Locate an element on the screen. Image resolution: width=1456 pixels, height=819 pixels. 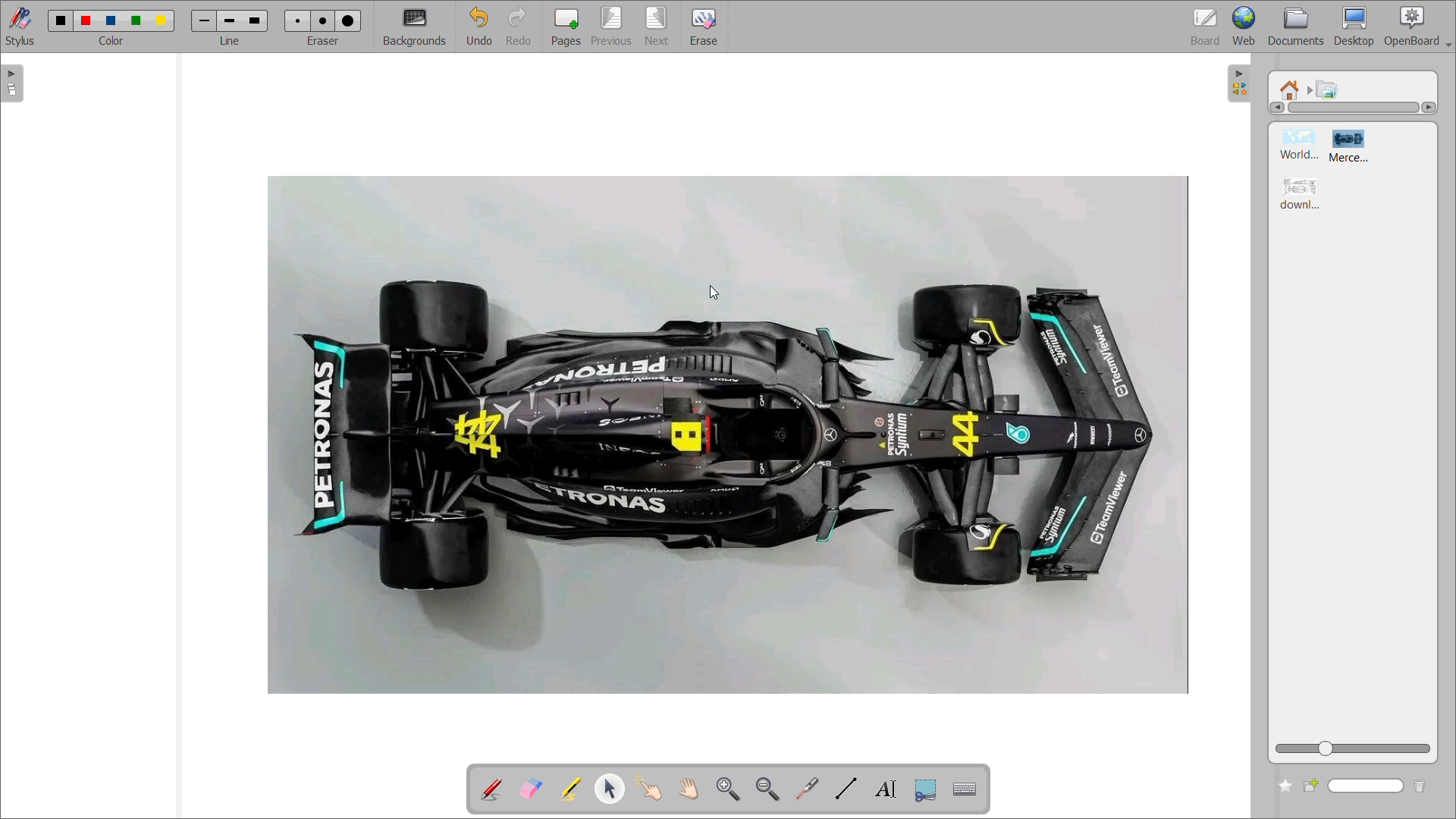
cursor is located at coordinates (715, 294).